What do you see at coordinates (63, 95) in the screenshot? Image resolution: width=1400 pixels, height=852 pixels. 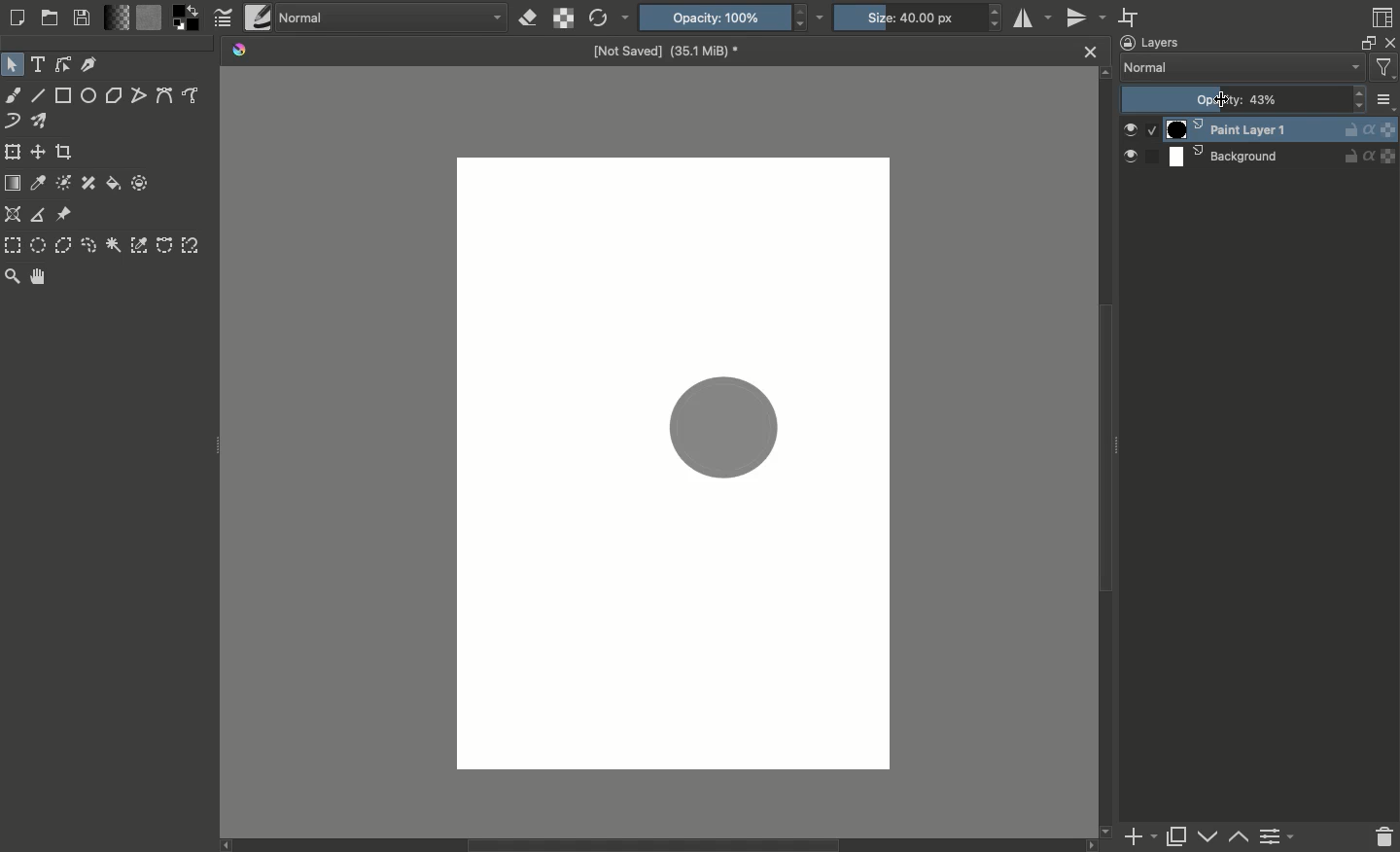 I see `Rectangle` at bounding box center [63, 95].